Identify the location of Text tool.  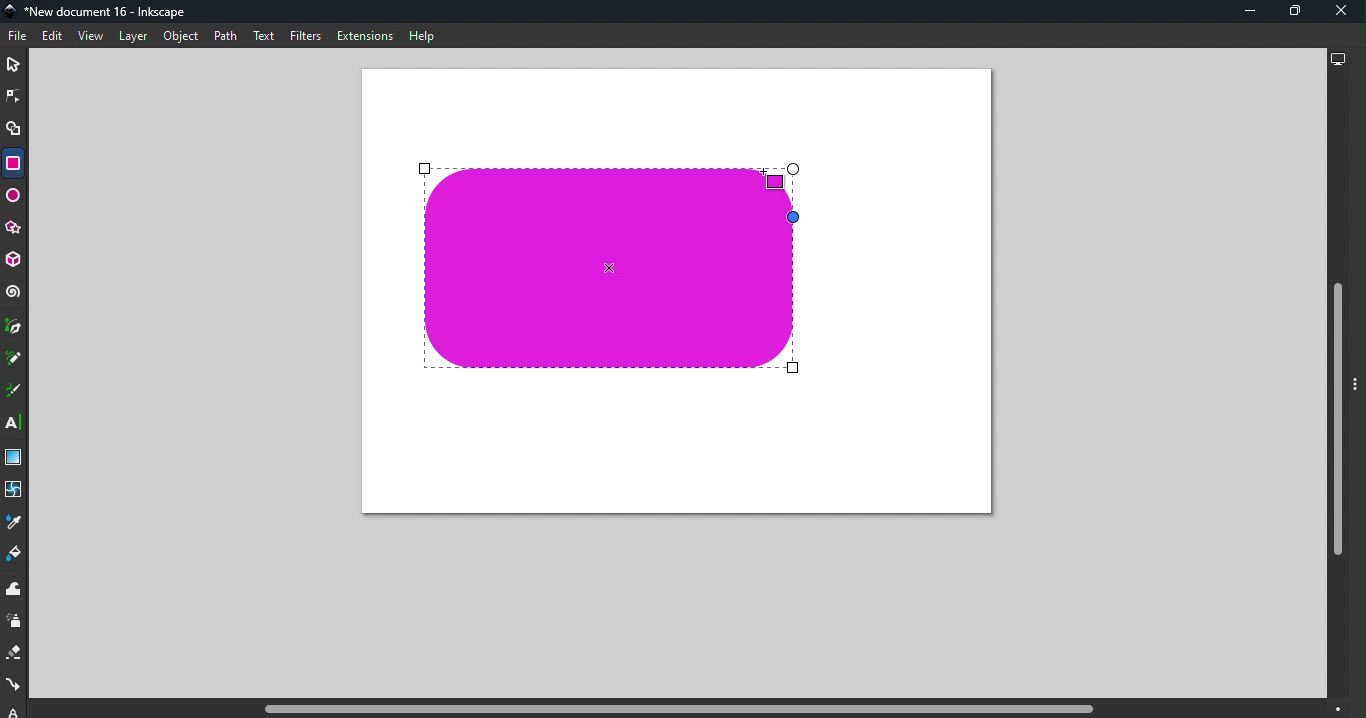
(16, 423).